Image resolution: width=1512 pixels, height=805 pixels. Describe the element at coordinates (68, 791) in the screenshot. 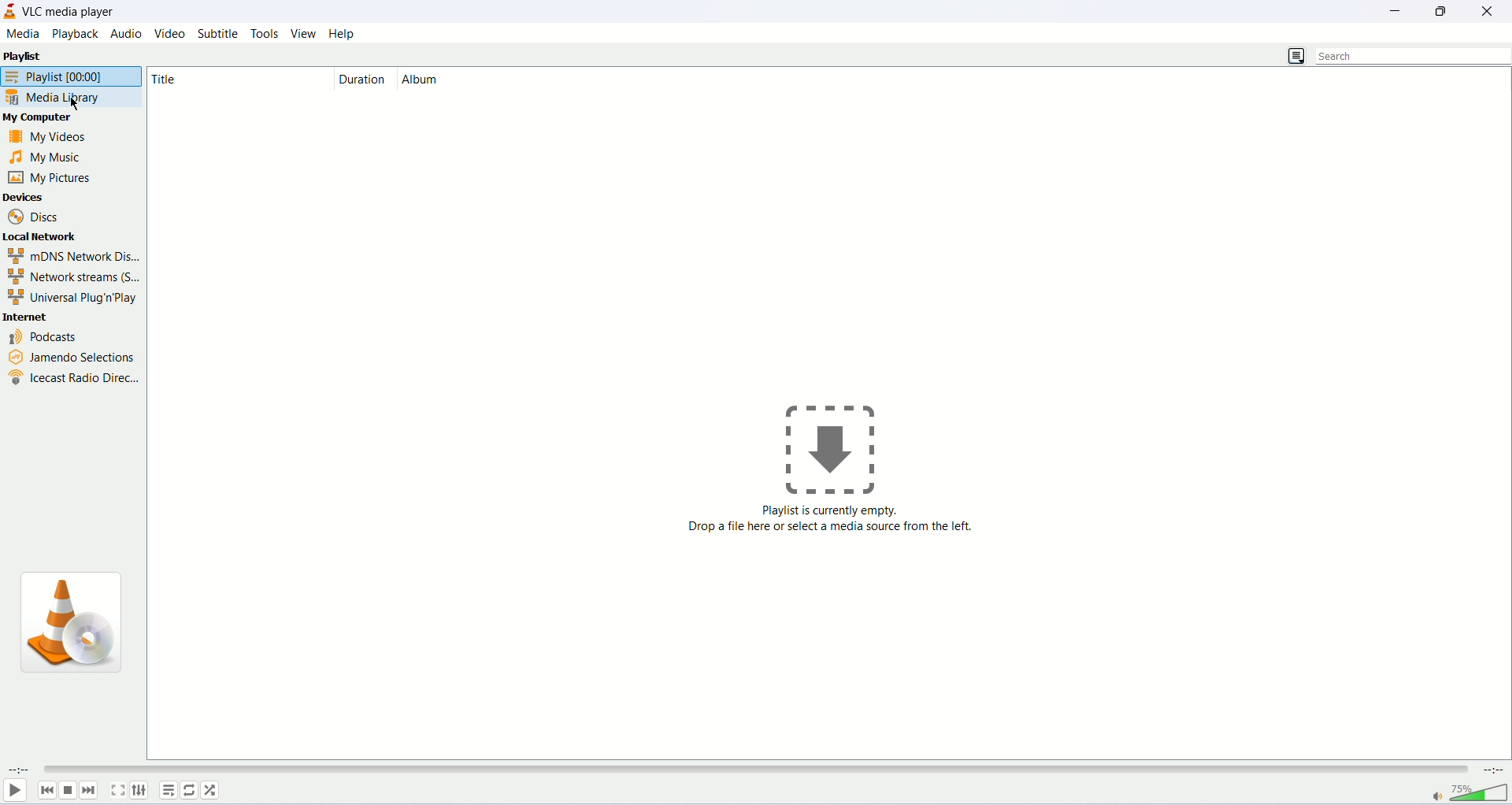

I see `stop` at that location.